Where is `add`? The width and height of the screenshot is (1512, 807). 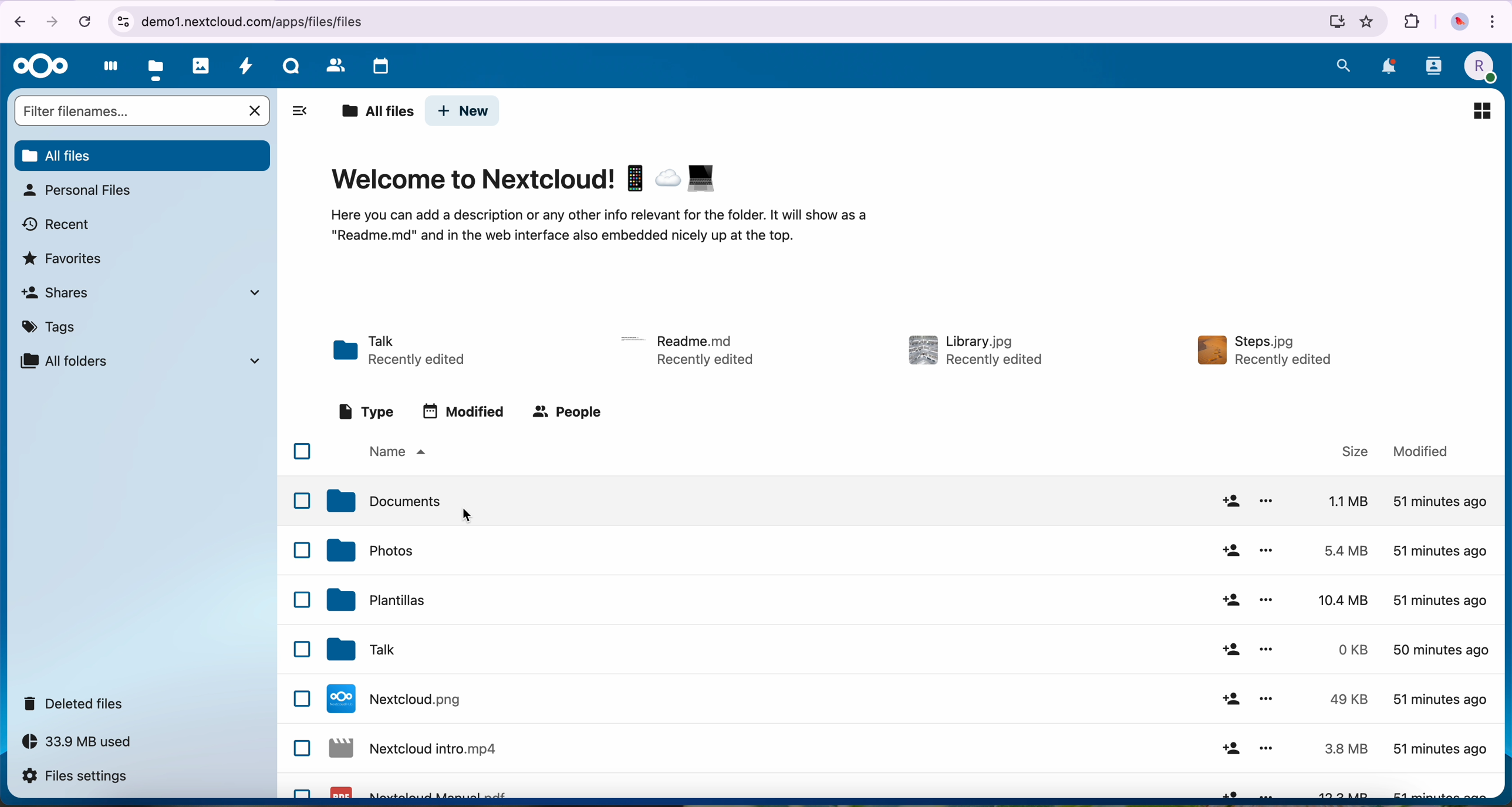
add is located at coordinates (1233, 600).